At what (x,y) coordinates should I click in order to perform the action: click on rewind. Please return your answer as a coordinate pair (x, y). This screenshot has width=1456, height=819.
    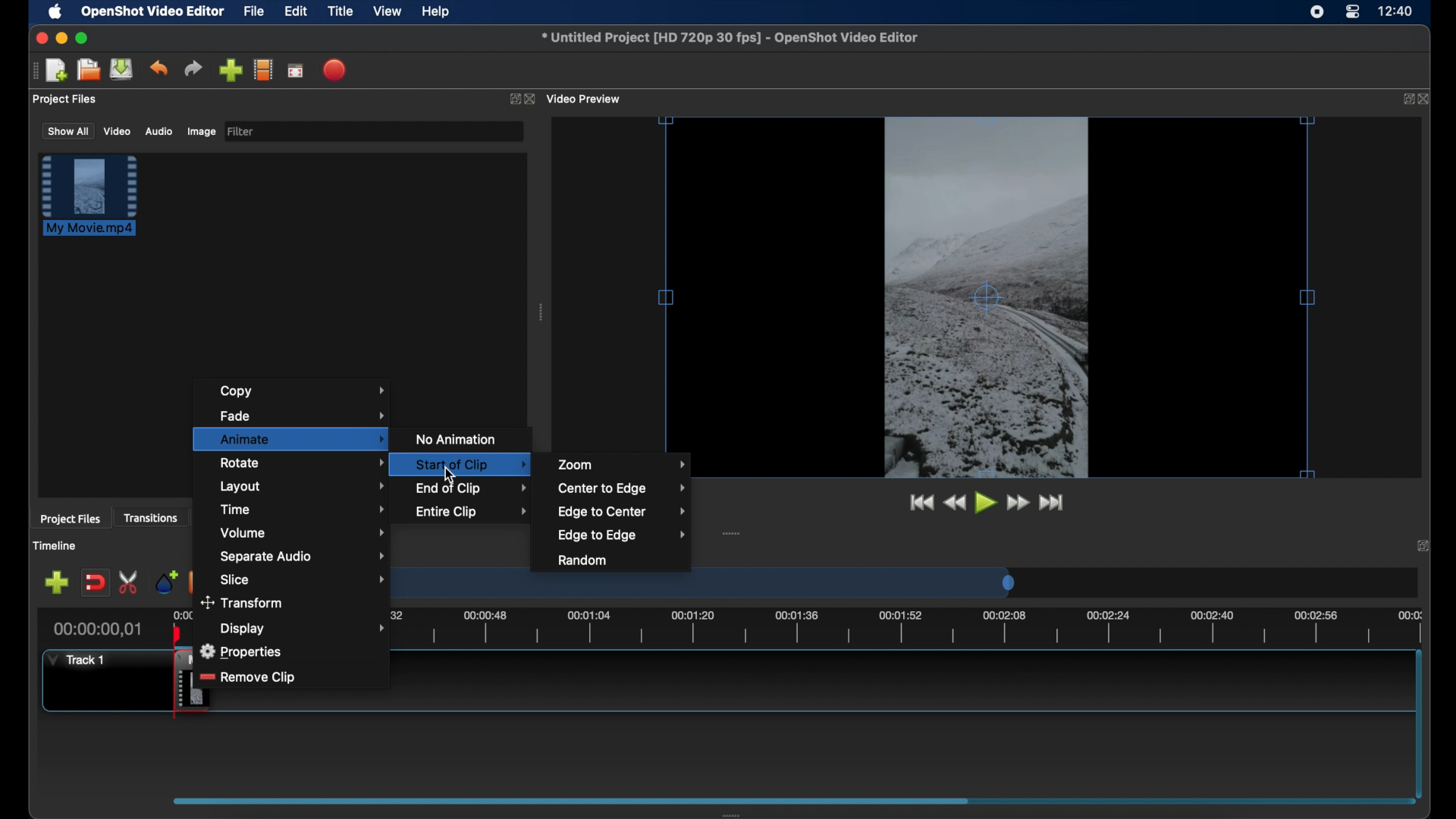
    Looking at the image, I should click on (955, 503).